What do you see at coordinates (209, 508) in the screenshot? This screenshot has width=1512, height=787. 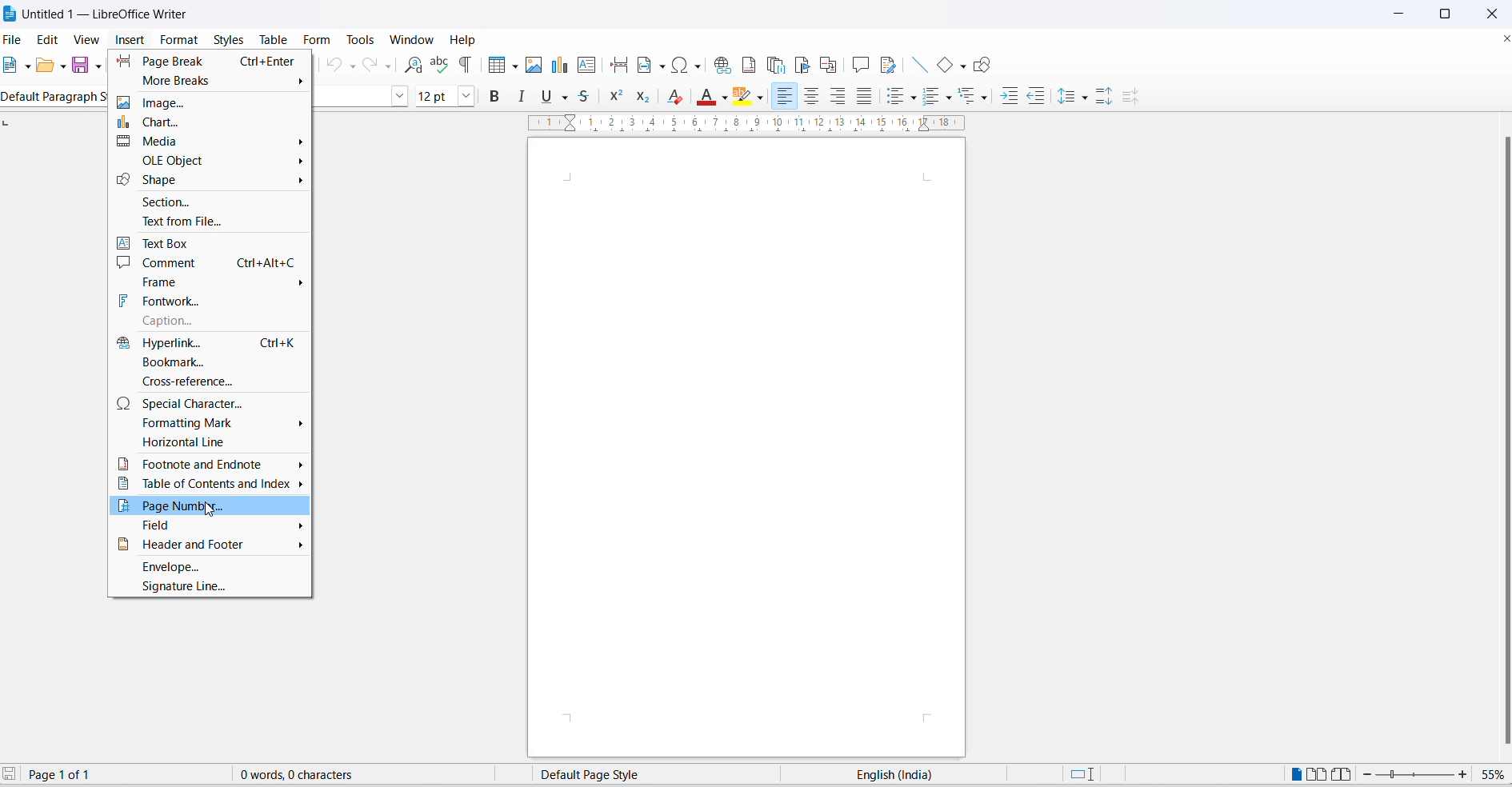 I see `page number` at bounding box center [209, 508].